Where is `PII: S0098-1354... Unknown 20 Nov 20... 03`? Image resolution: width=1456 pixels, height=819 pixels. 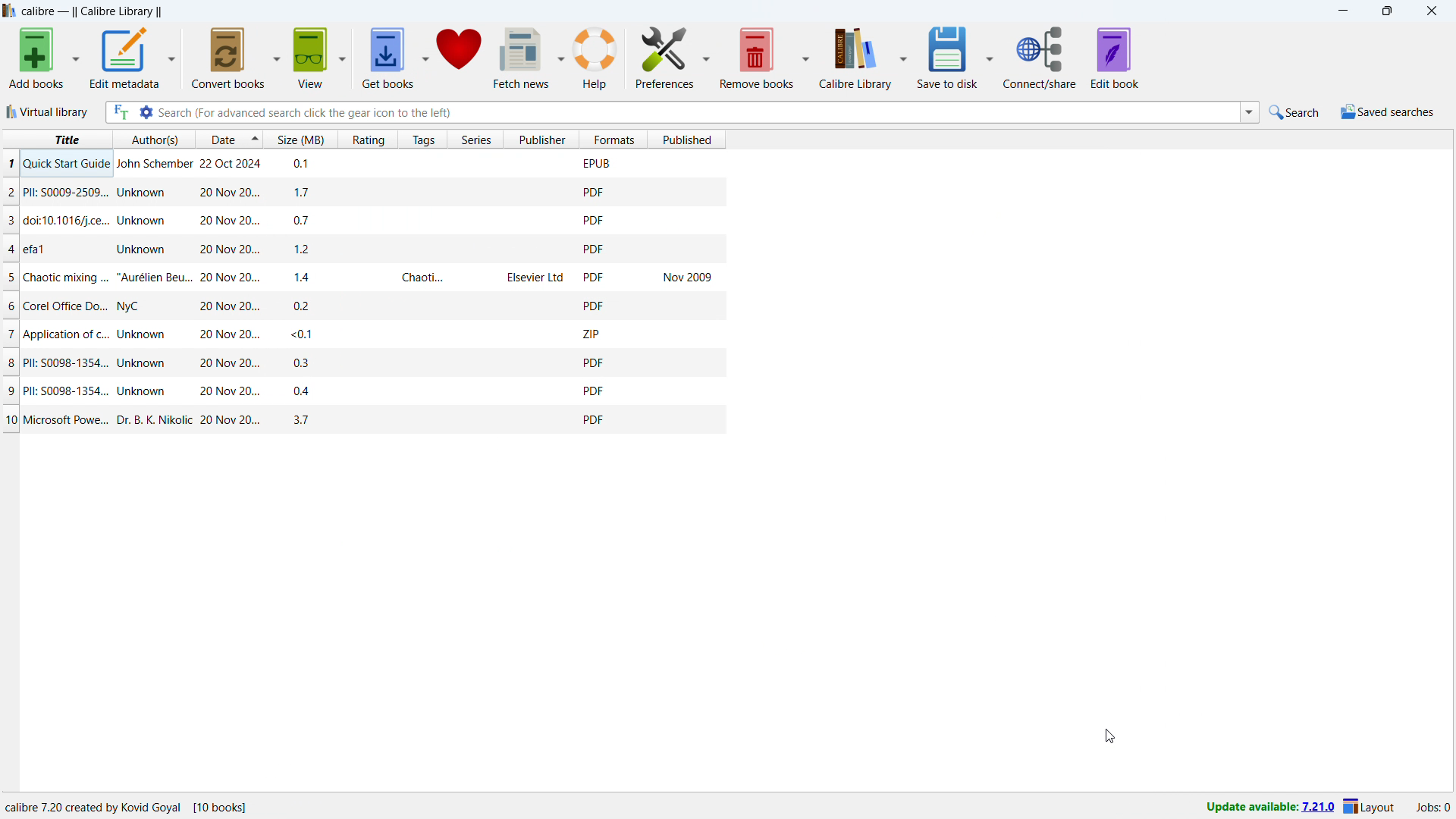 PII: S0098-1354... Unknown 20 Nov 20... 03 is located at coordinates (372, 361).